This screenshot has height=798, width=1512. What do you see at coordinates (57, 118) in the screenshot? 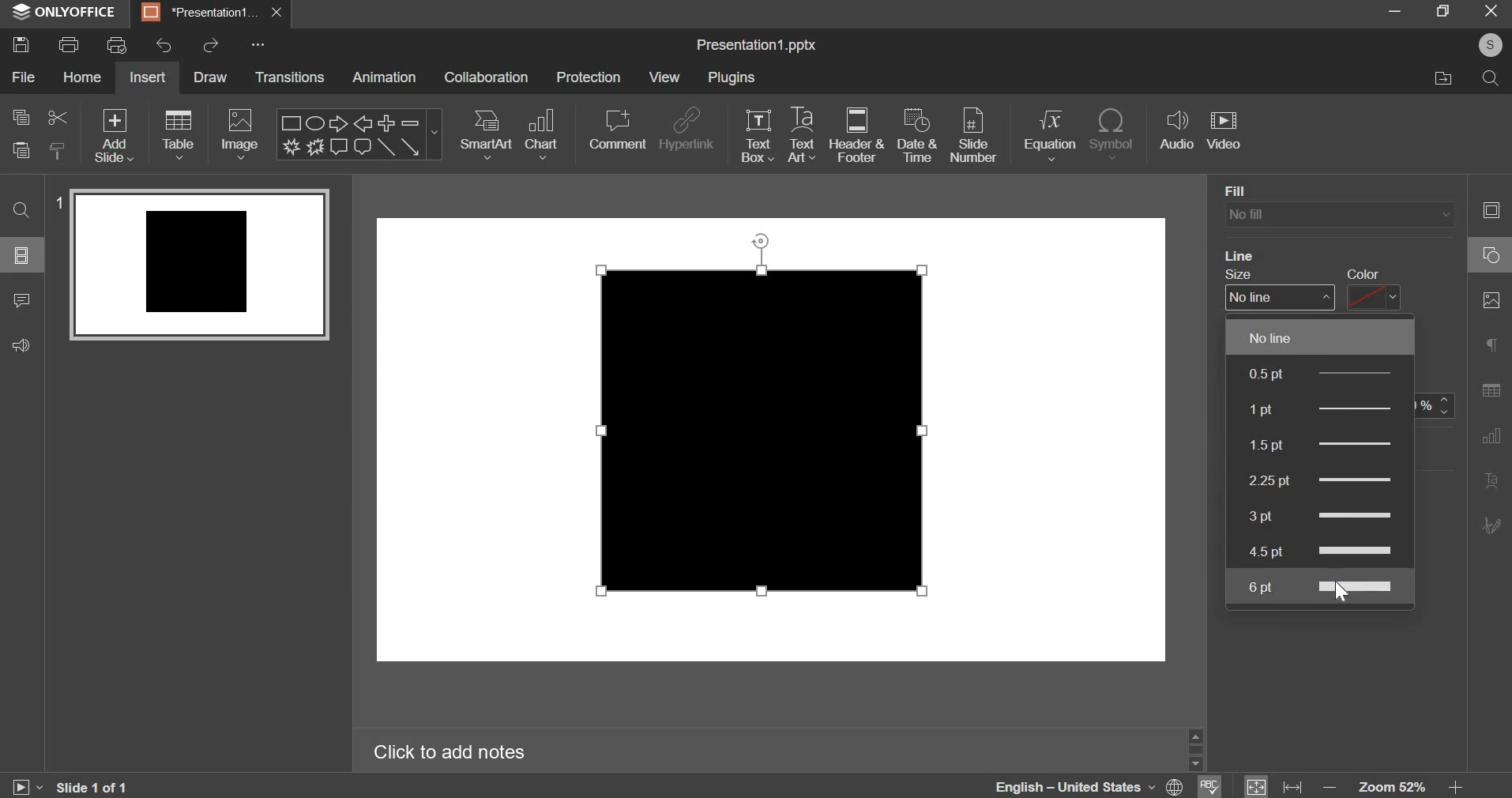
I see `cut` at bounding box center [57, 118].